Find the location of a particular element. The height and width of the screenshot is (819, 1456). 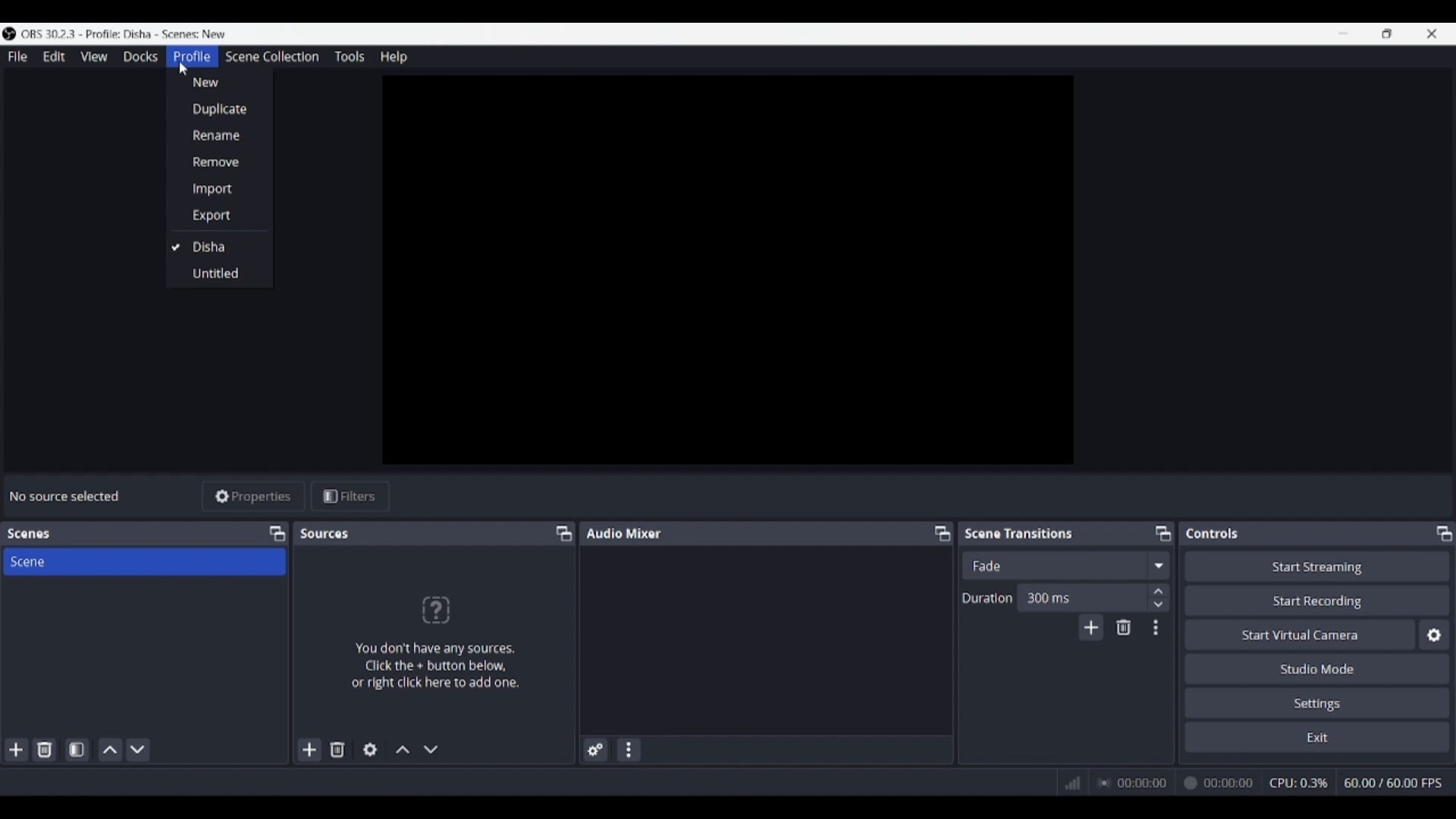

Software and project name is located at coordinates (130, 34).